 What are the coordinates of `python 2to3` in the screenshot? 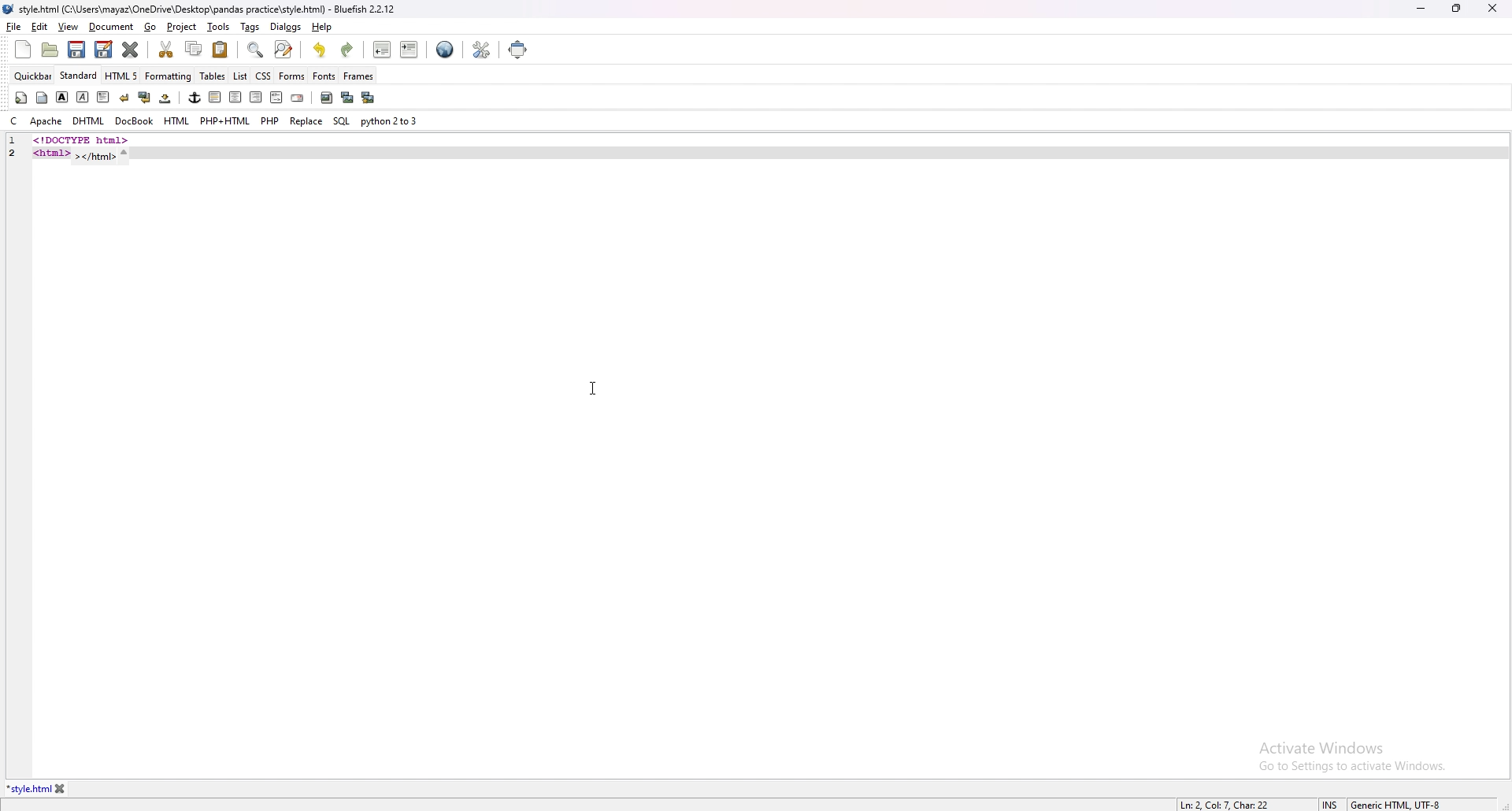 It's located at (391, 121).